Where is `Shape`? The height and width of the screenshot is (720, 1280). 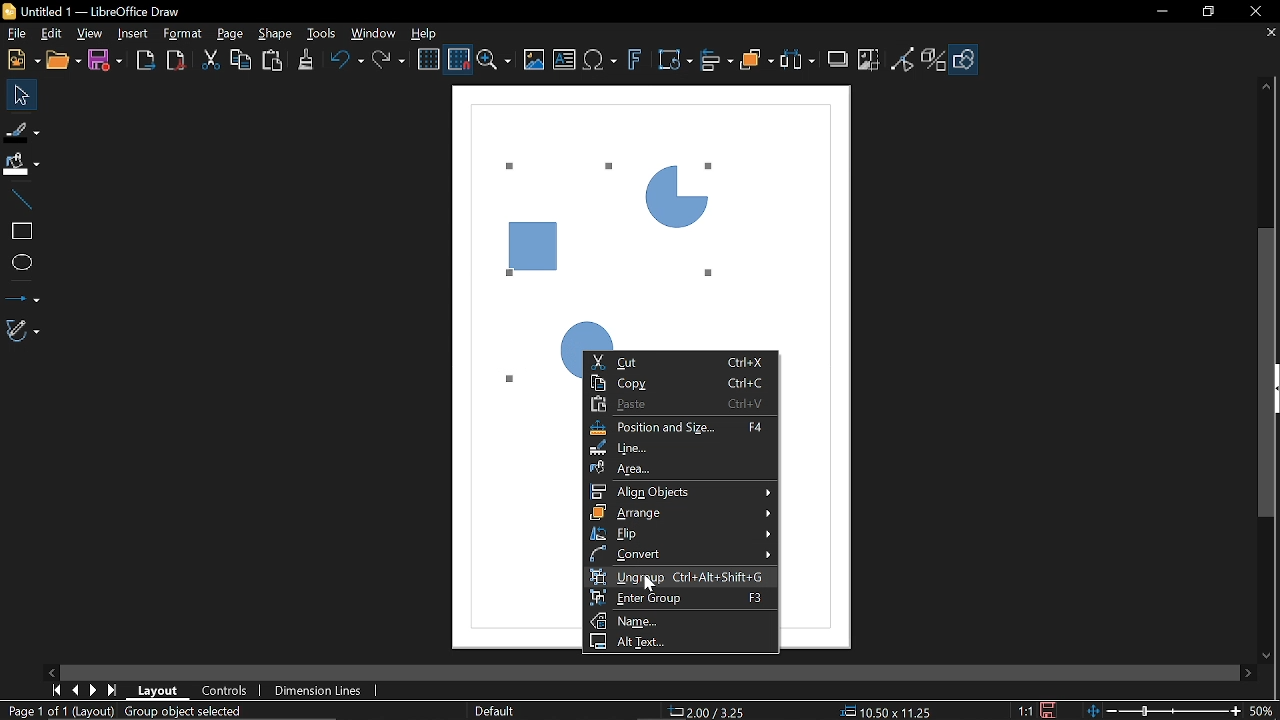
Shape is located at coordinates (274, 35).